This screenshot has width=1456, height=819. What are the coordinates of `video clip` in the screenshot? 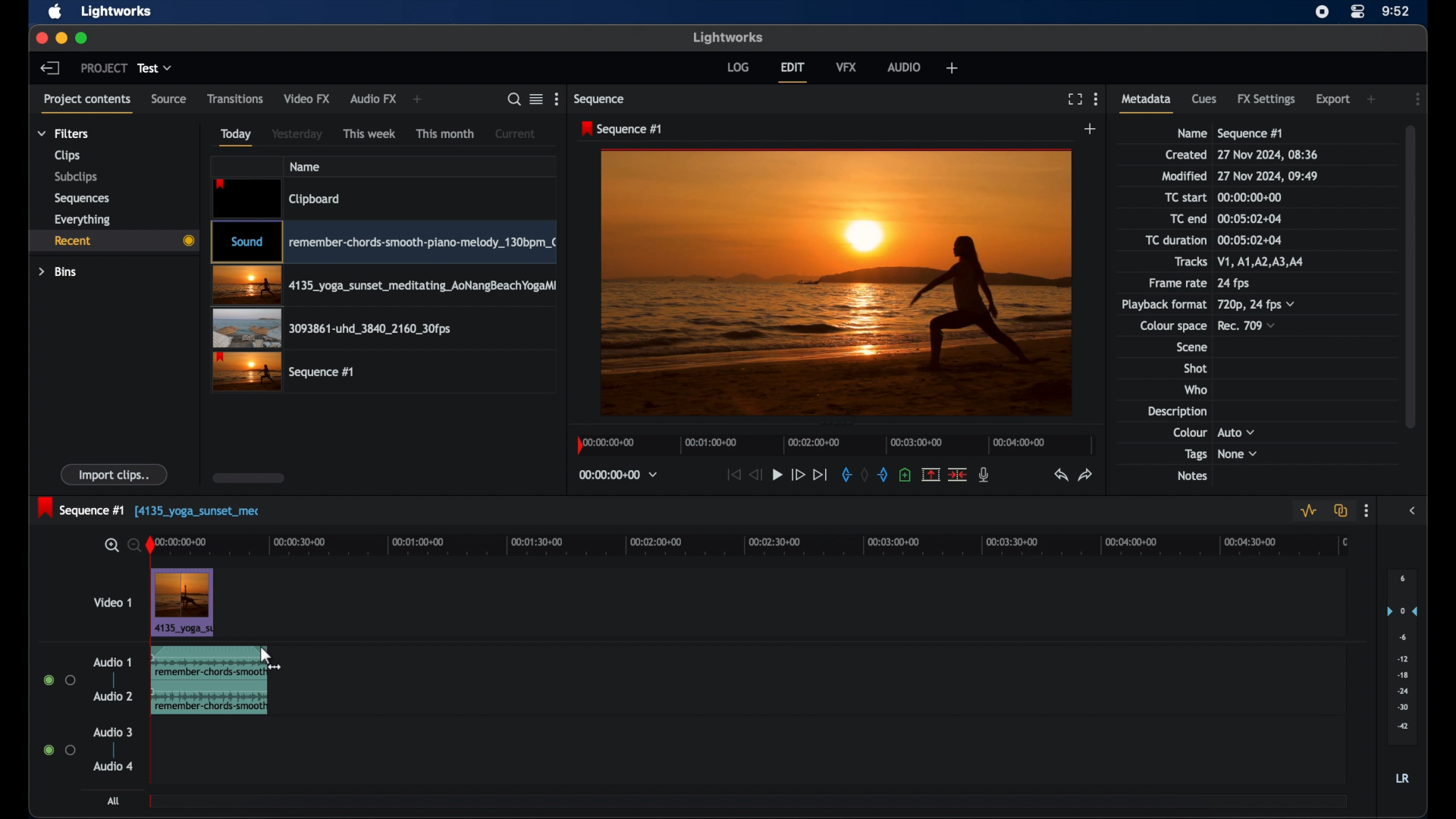 It's located at (333, 328).